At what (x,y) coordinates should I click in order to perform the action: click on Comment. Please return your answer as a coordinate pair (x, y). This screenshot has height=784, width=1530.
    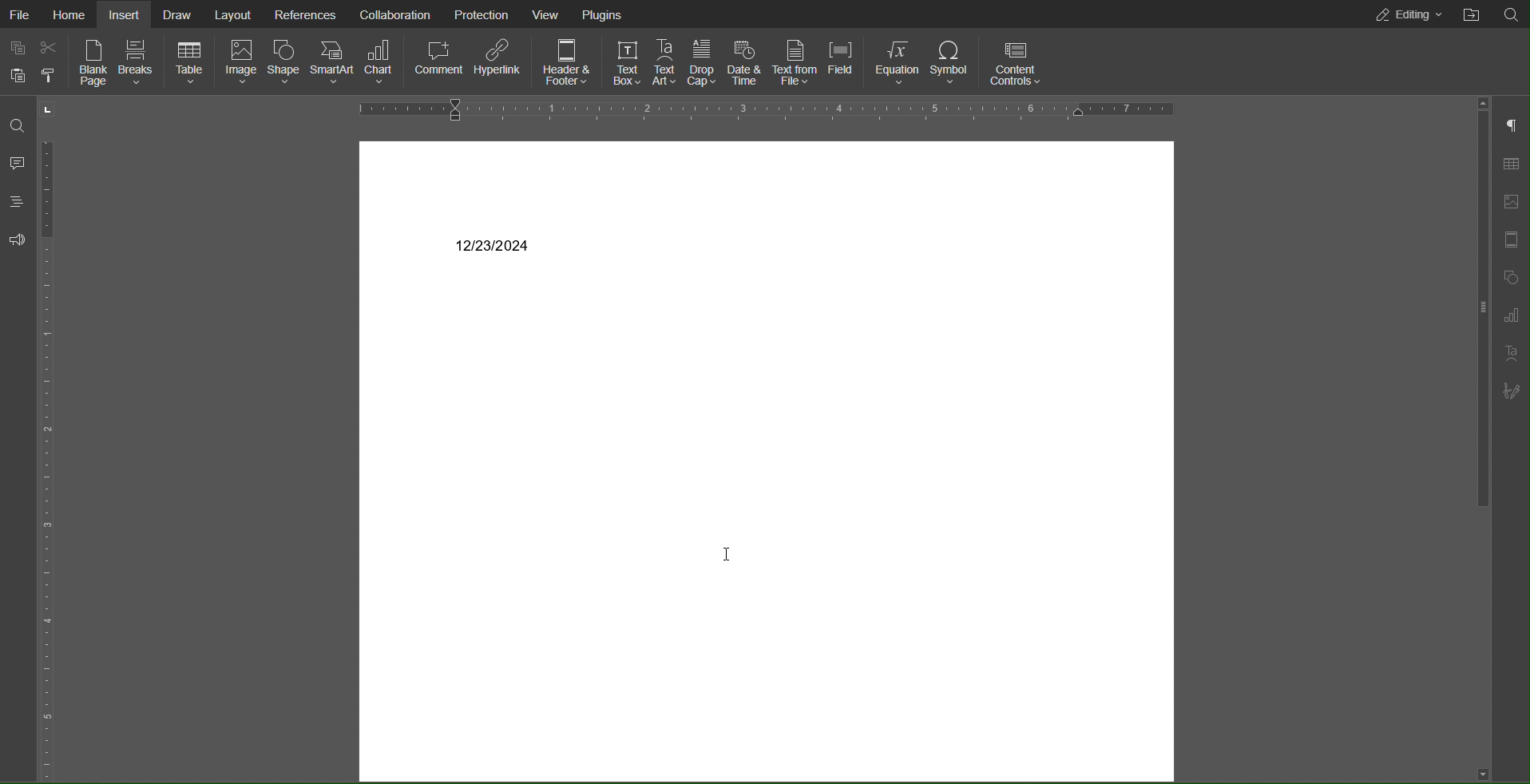
    Looking at the image, I should click on (18, 162).